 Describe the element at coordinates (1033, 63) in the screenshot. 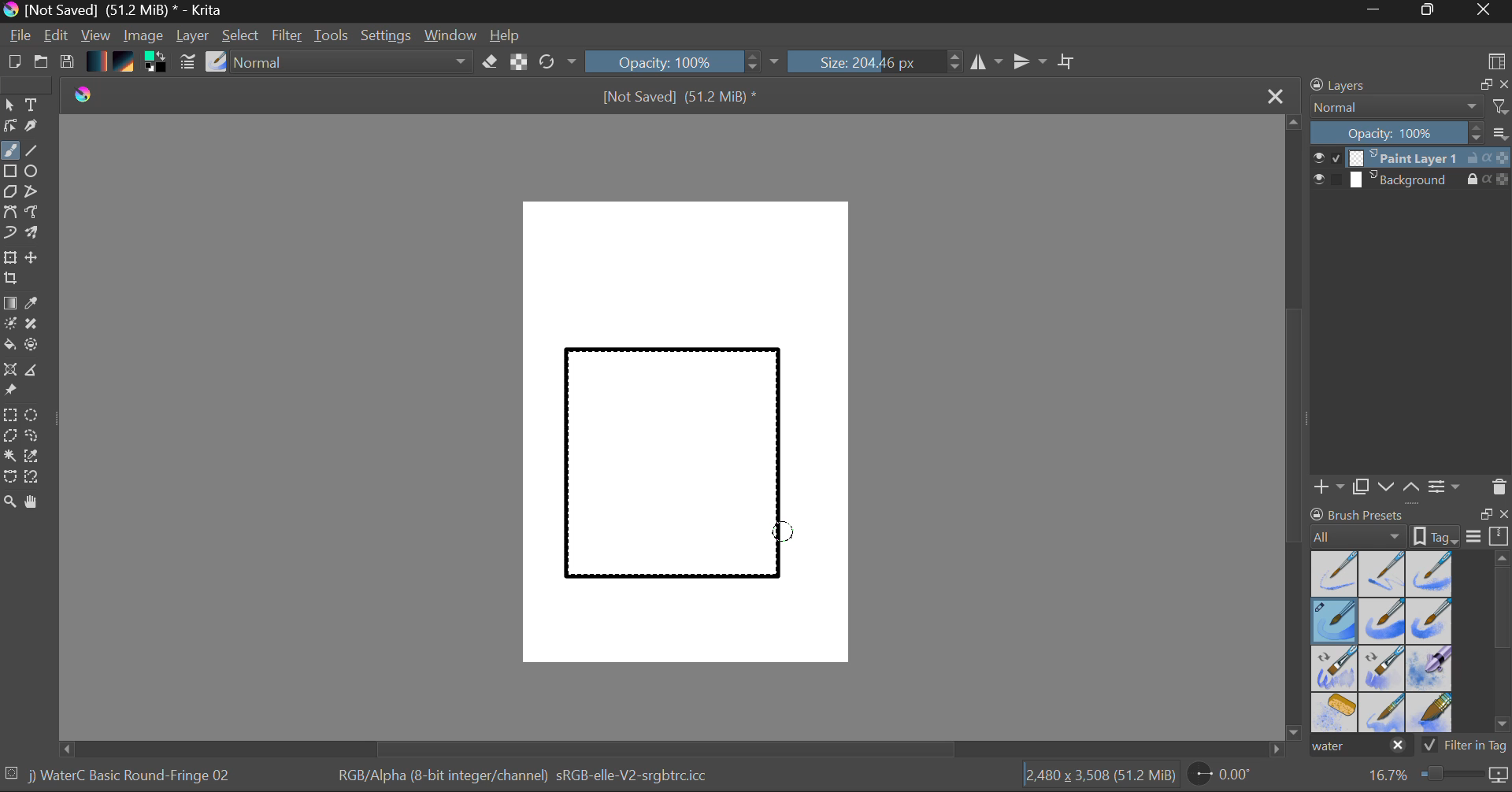

I see `Horizontal Mirror Flip` at that location.